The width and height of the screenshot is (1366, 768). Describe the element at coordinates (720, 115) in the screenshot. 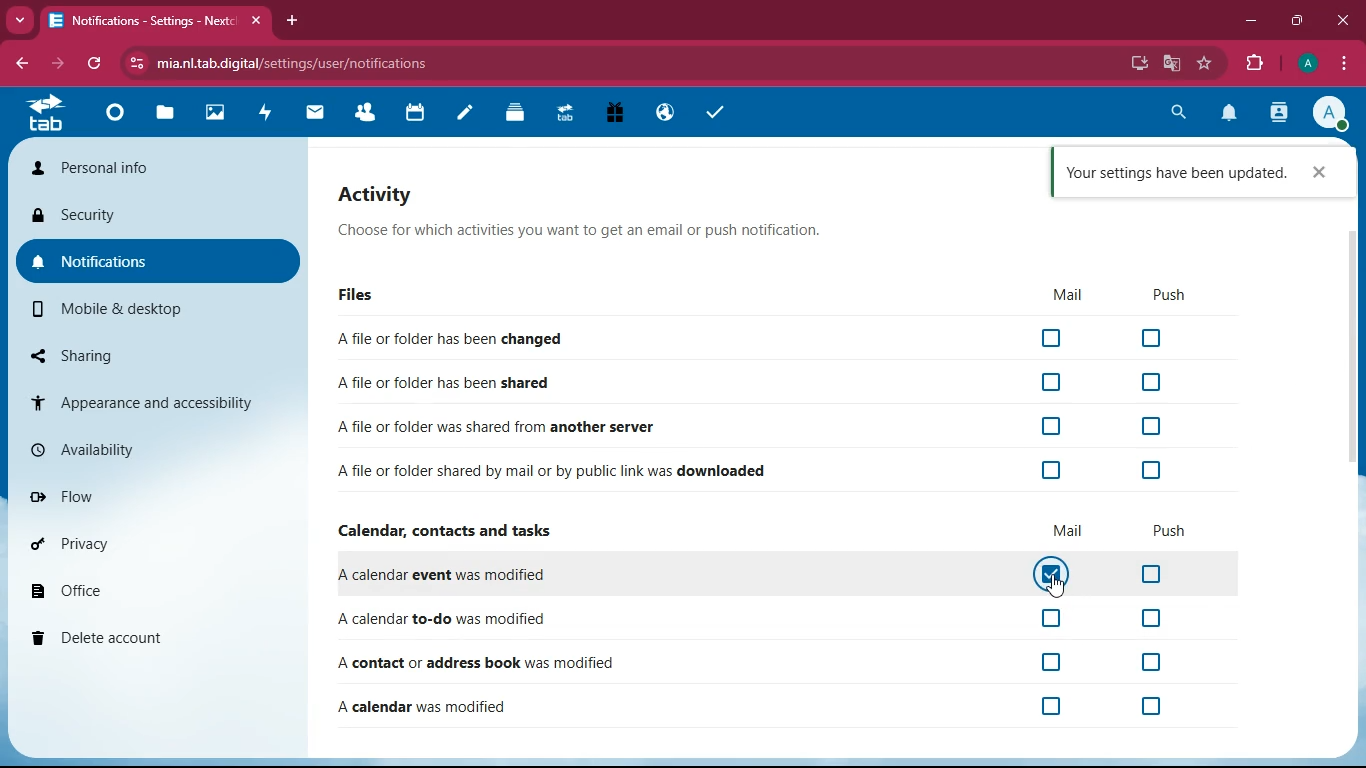

I see `task` at that location.